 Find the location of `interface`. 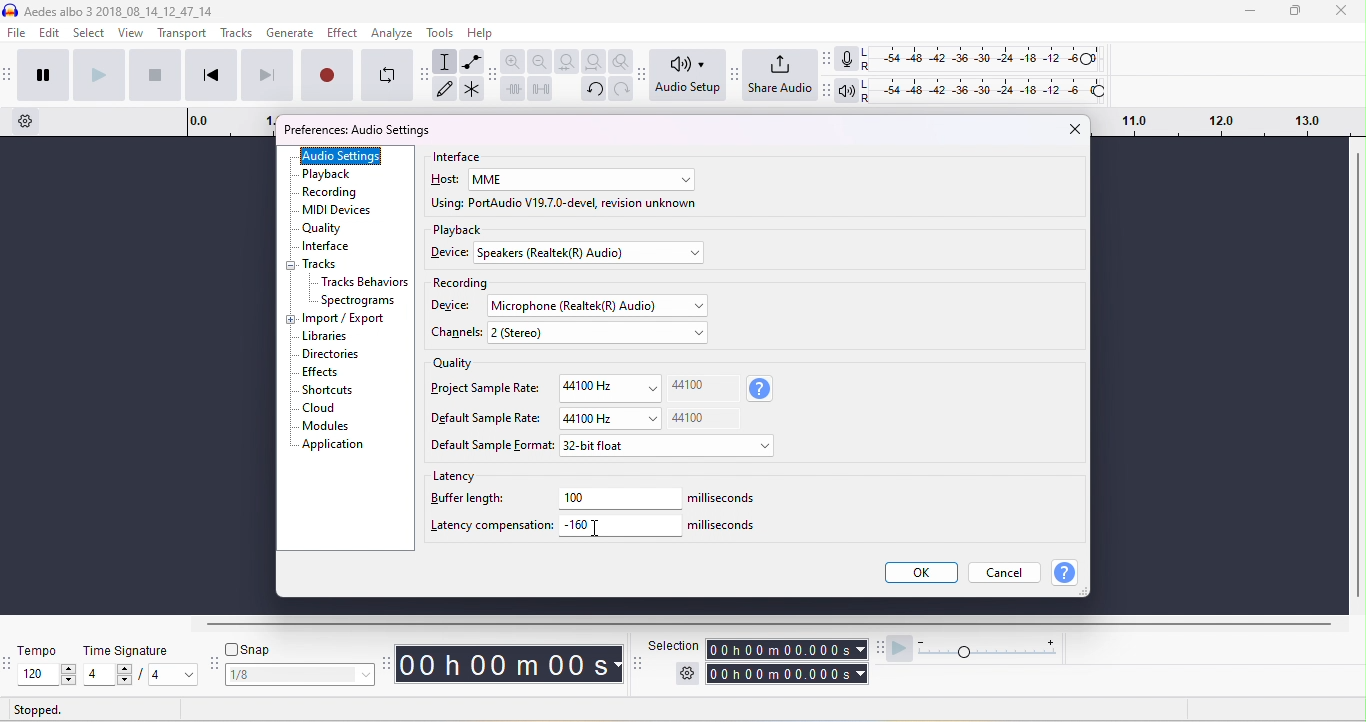

interface is located at coordinates (459, 157).